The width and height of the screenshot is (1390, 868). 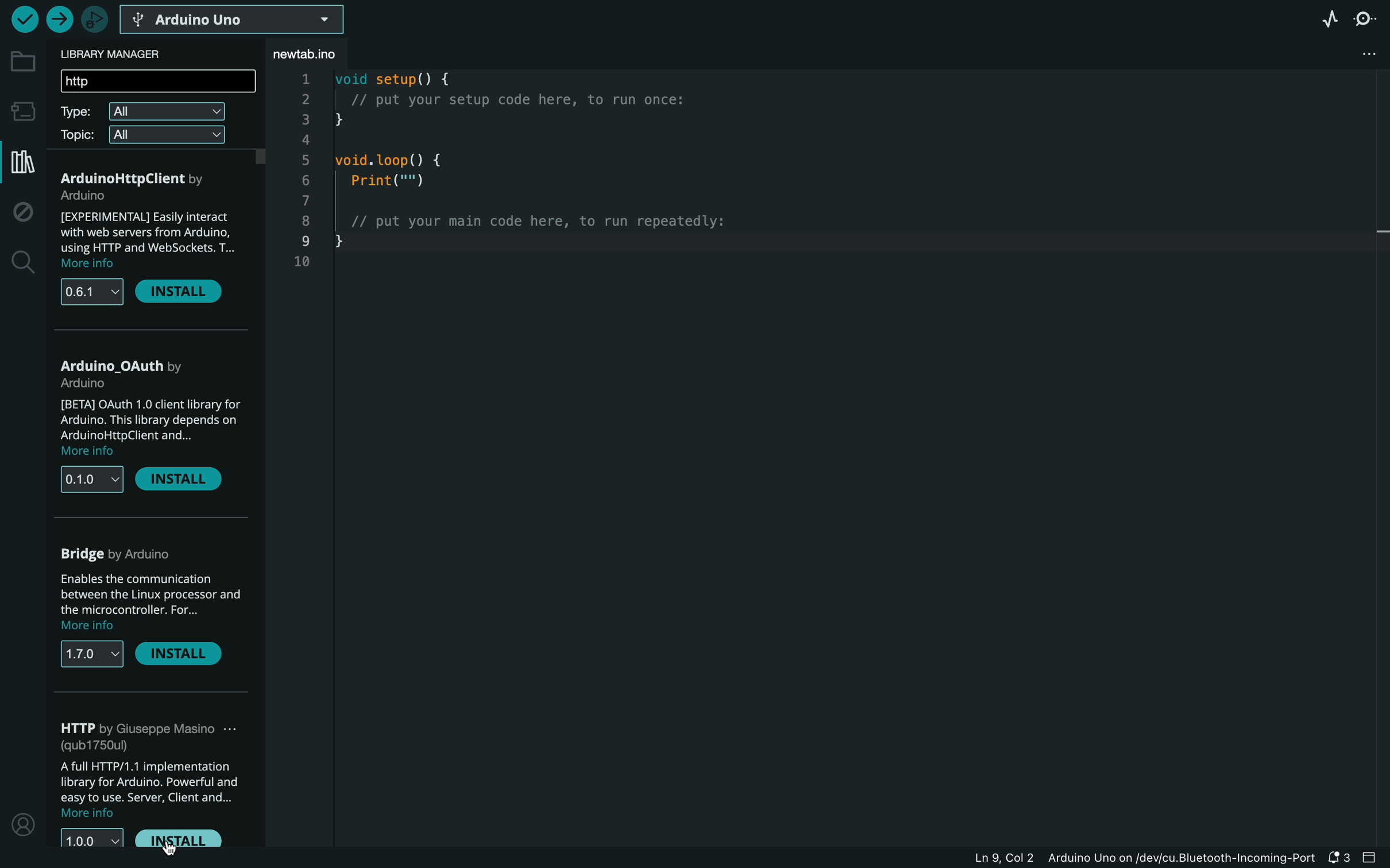 I want to click on alpc opta, so click(x=135, y=178).